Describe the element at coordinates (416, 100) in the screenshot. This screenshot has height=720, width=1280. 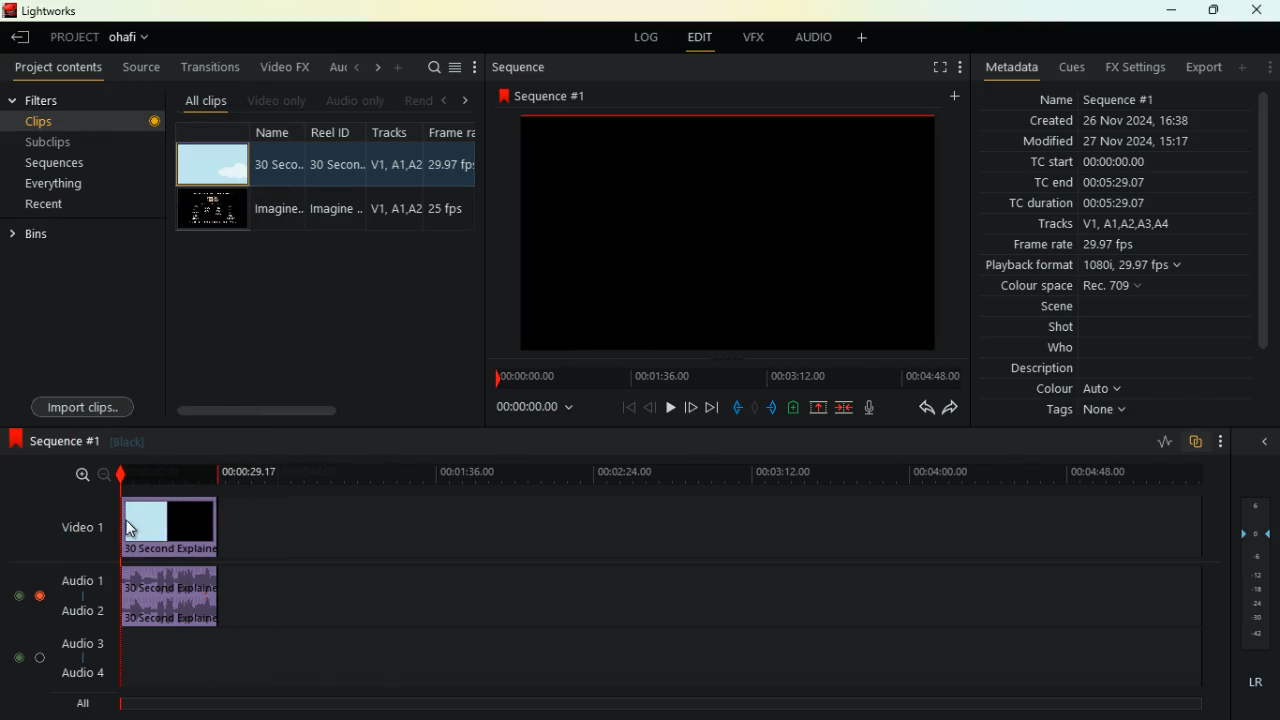
I see `rend` at that location.